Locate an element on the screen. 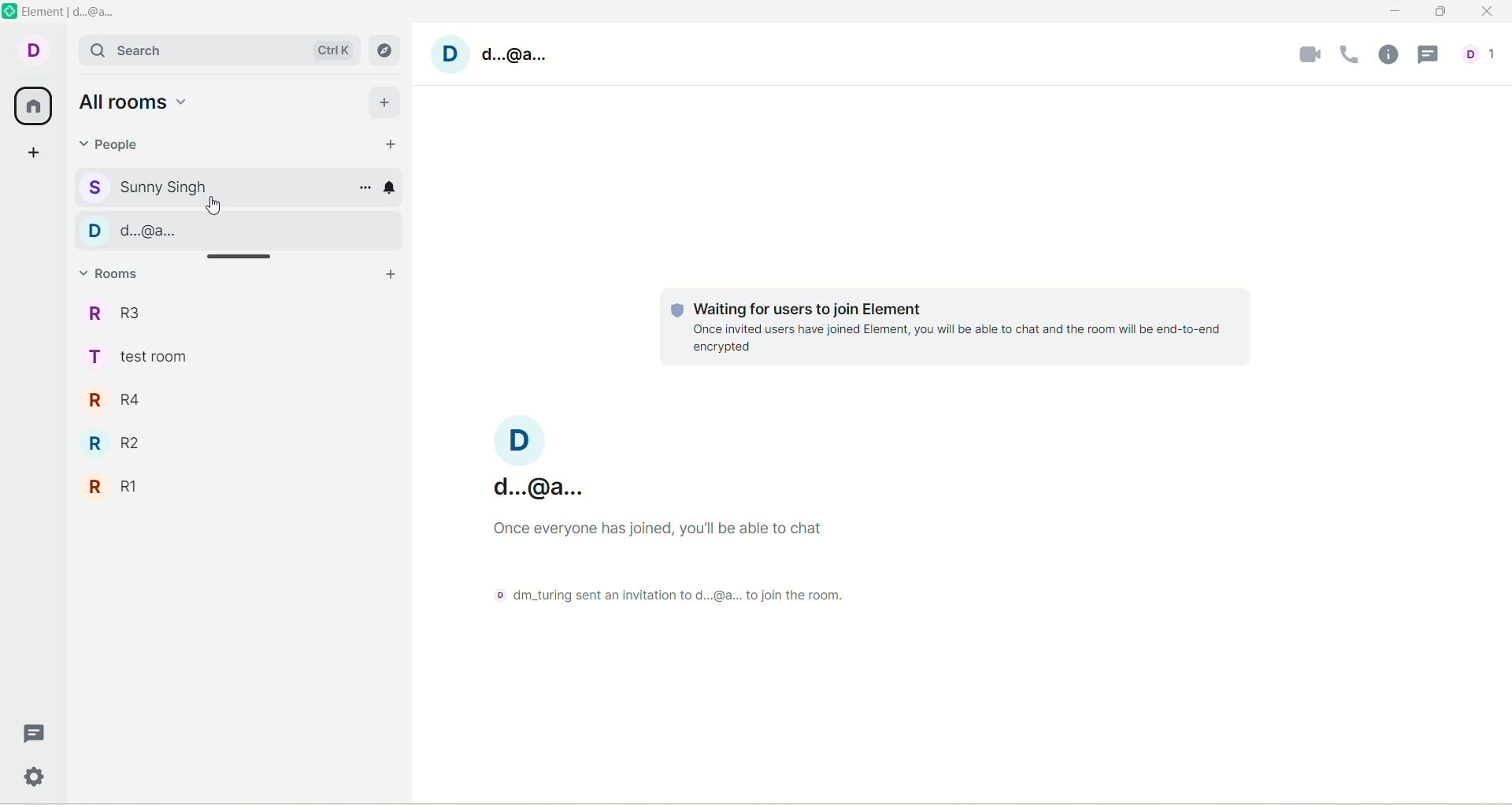 The image size is (1512, 805). start chat is located at coordinates (389, 144).